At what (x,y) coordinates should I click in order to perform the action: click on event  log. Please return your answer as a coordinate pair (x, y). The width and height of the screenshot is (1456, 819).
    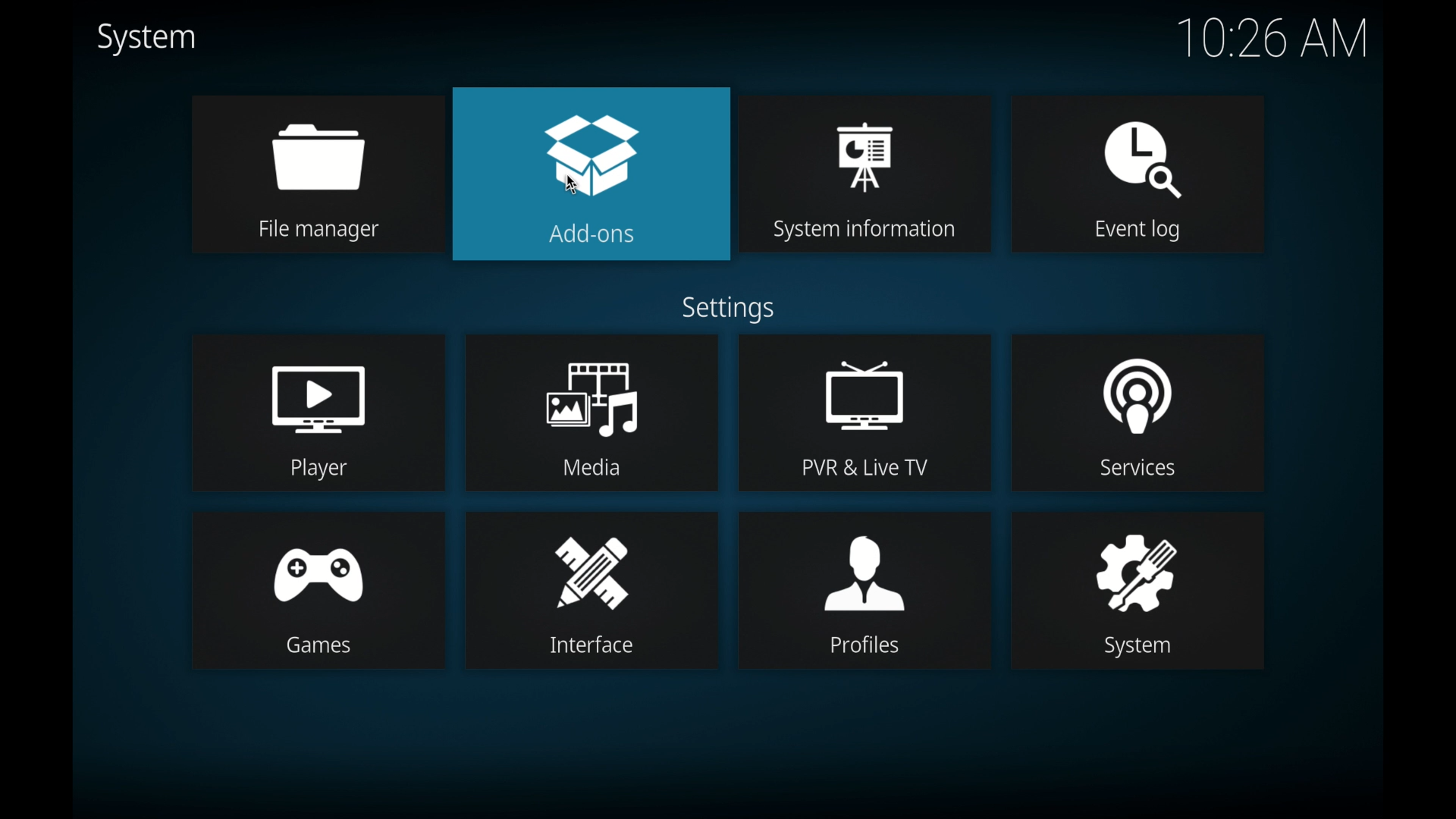
    Looking at the image, I should click on (1137, 175).